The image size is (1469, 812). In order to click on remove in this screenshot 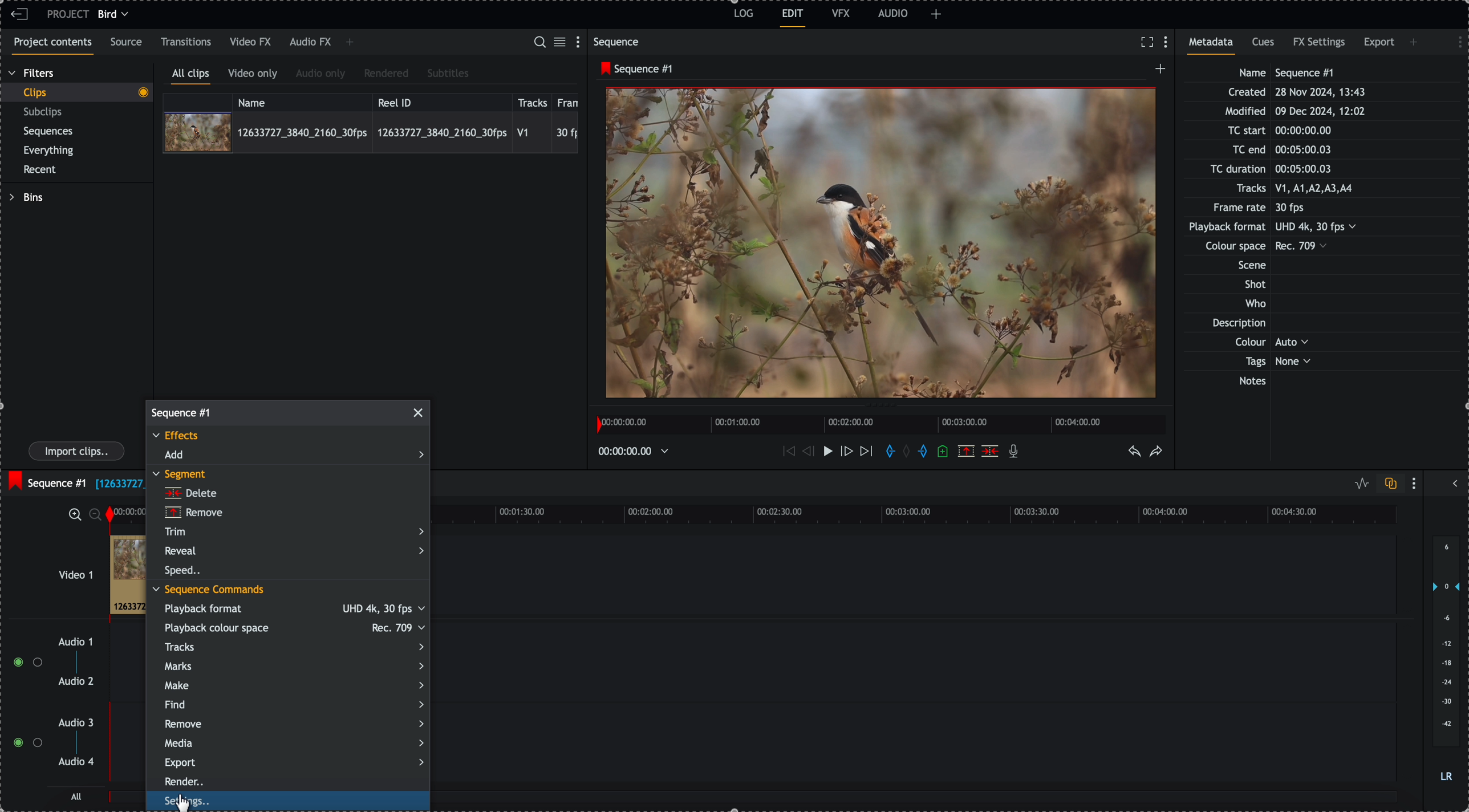, I will do `click(295, 724)`.